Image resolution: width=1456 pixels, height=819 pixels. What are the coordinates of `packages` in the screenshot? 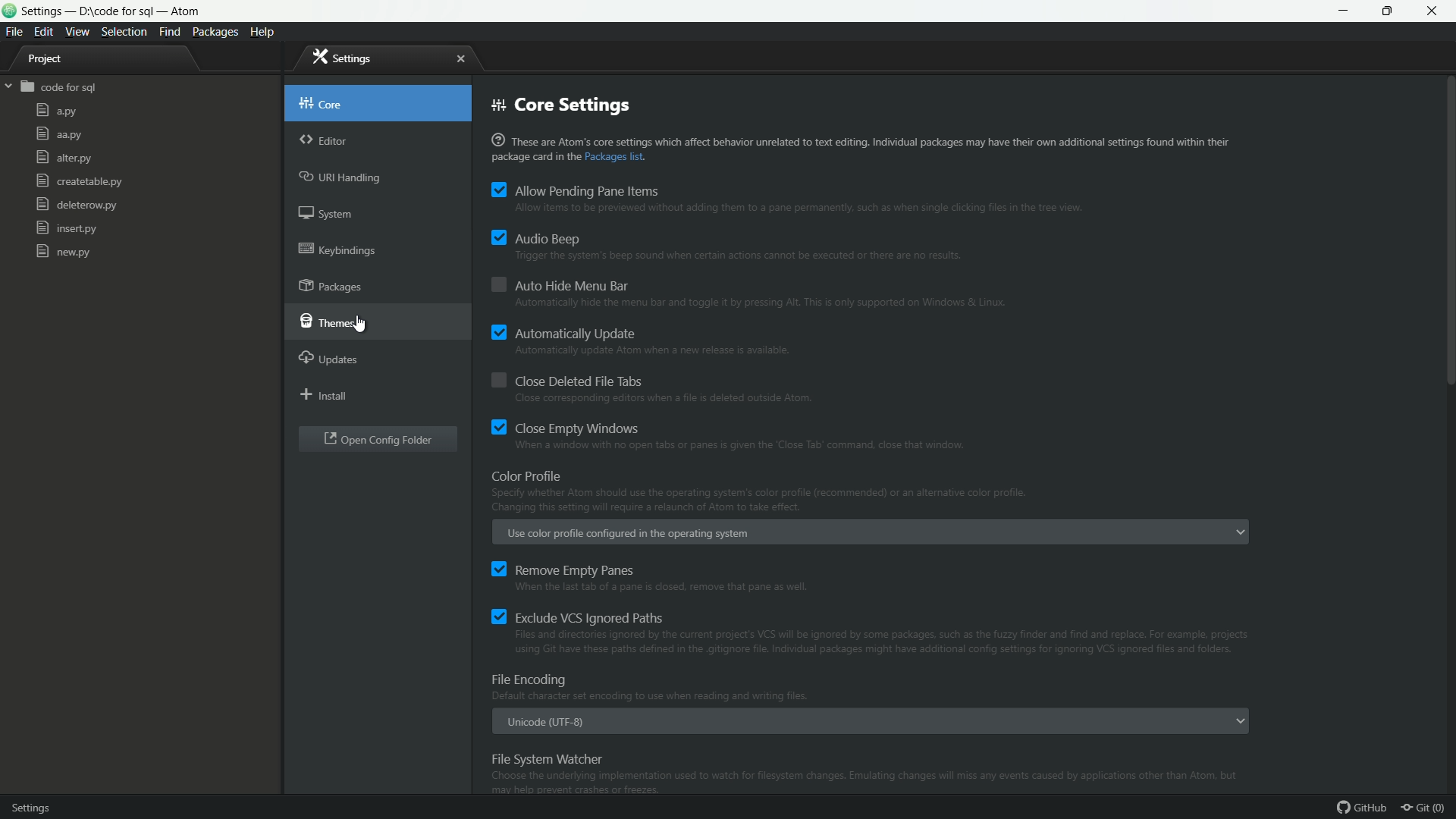 It's located at (334, 287).